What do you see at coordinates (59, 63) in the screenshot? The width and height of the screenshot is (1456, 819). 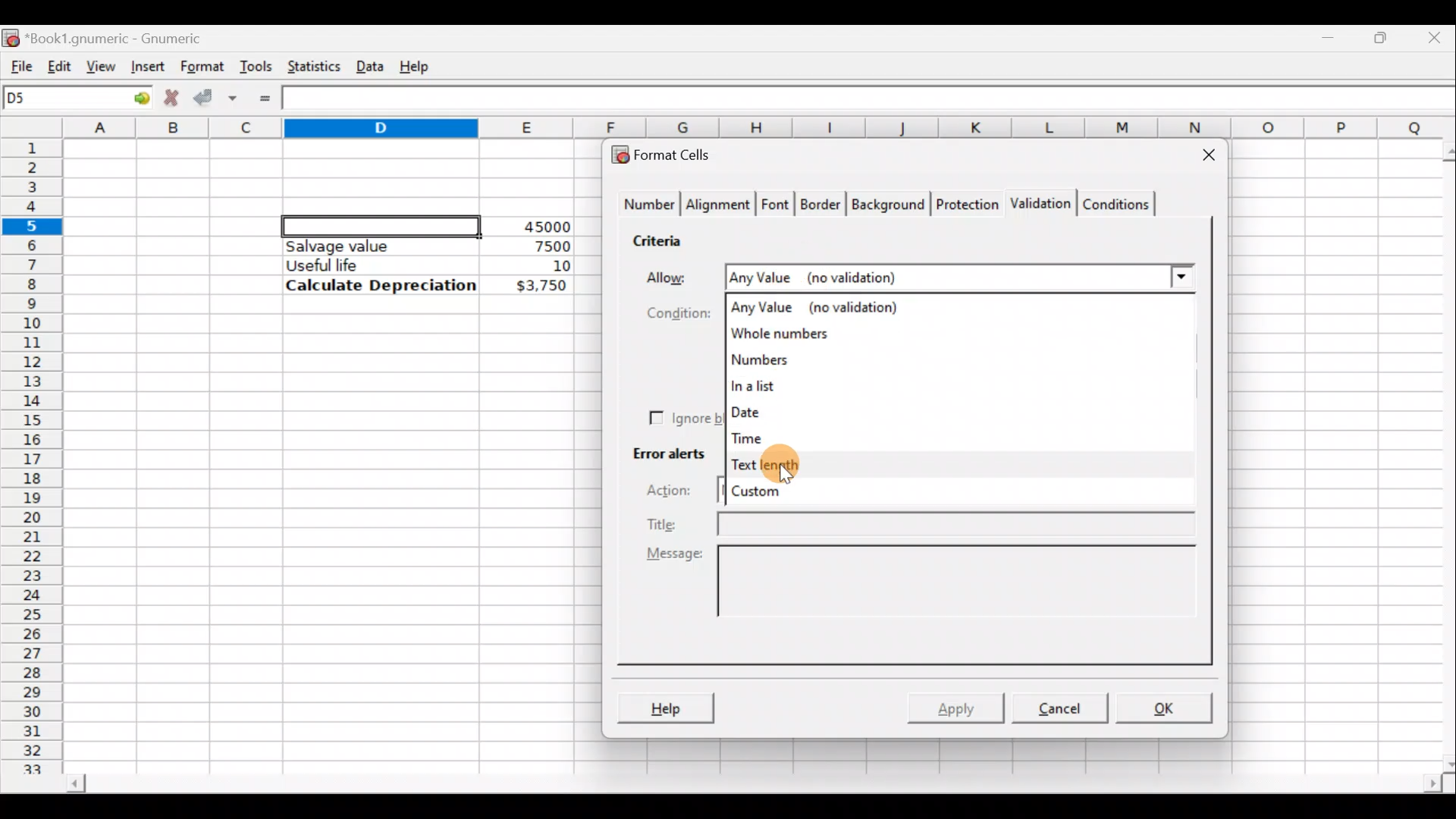 I see `Edit` at bounding box center [59, 63].